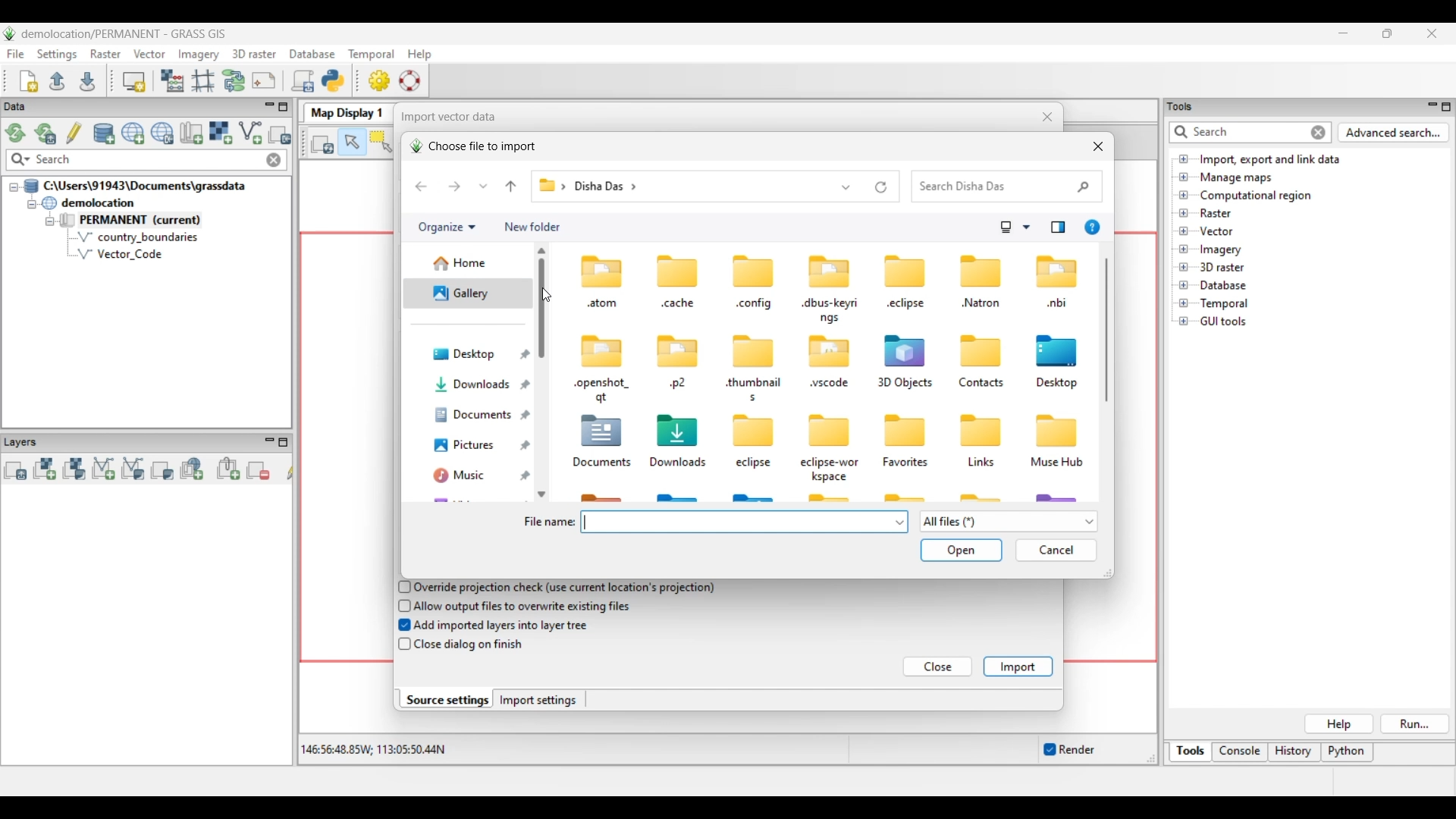  I want to click on Minimize, so click(1343, 33).